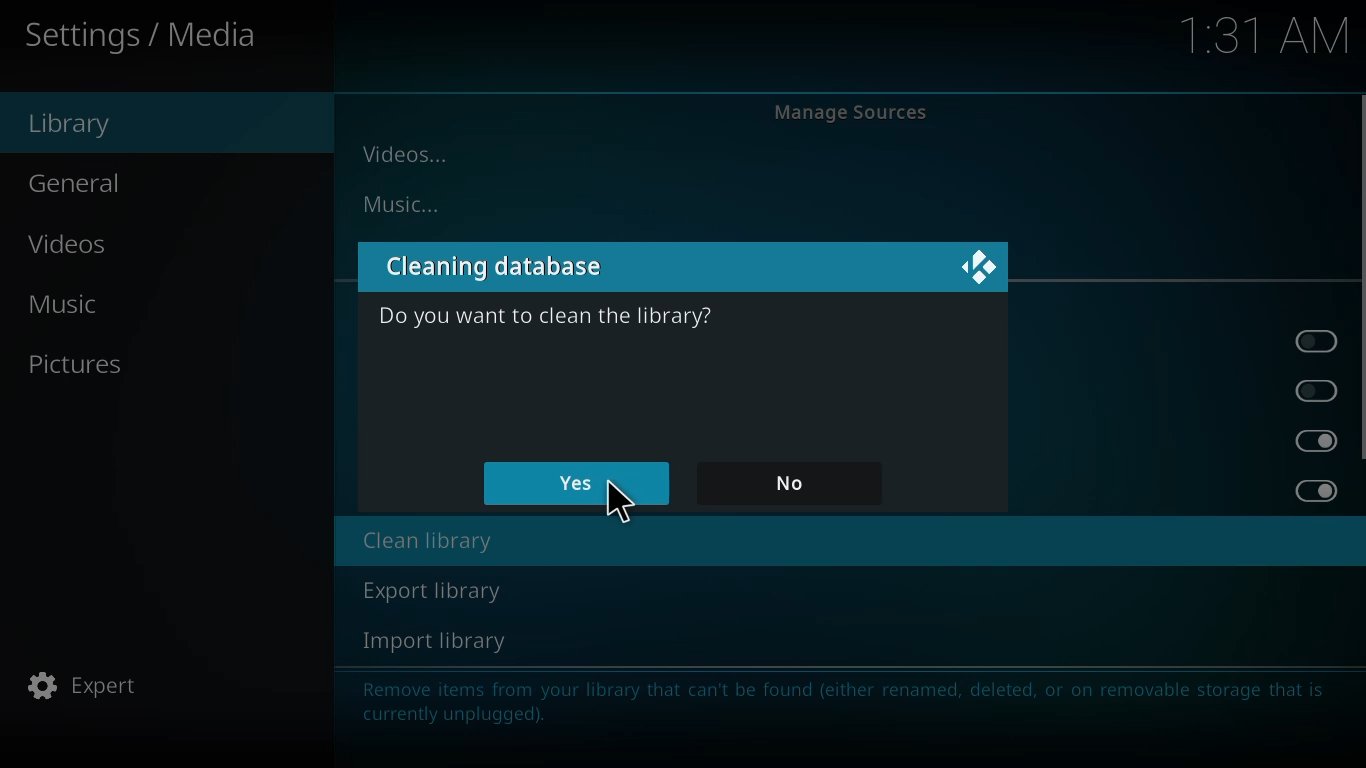 The image size is (1366, 768). I want to click on clean library, so click(425, 542).